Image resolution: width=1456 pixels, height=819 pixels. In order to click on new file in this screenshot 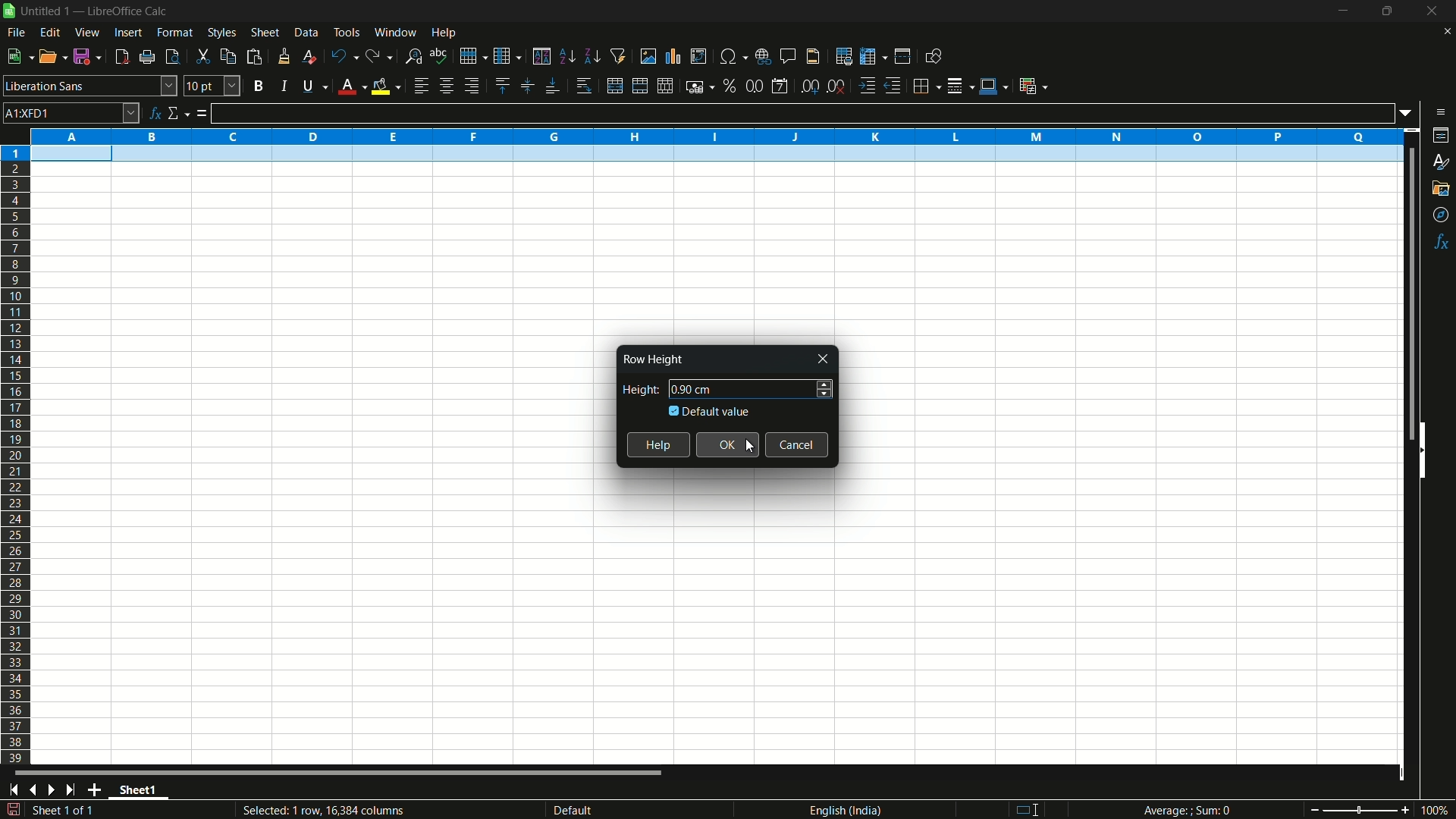, I will do `click(18, 56)`.